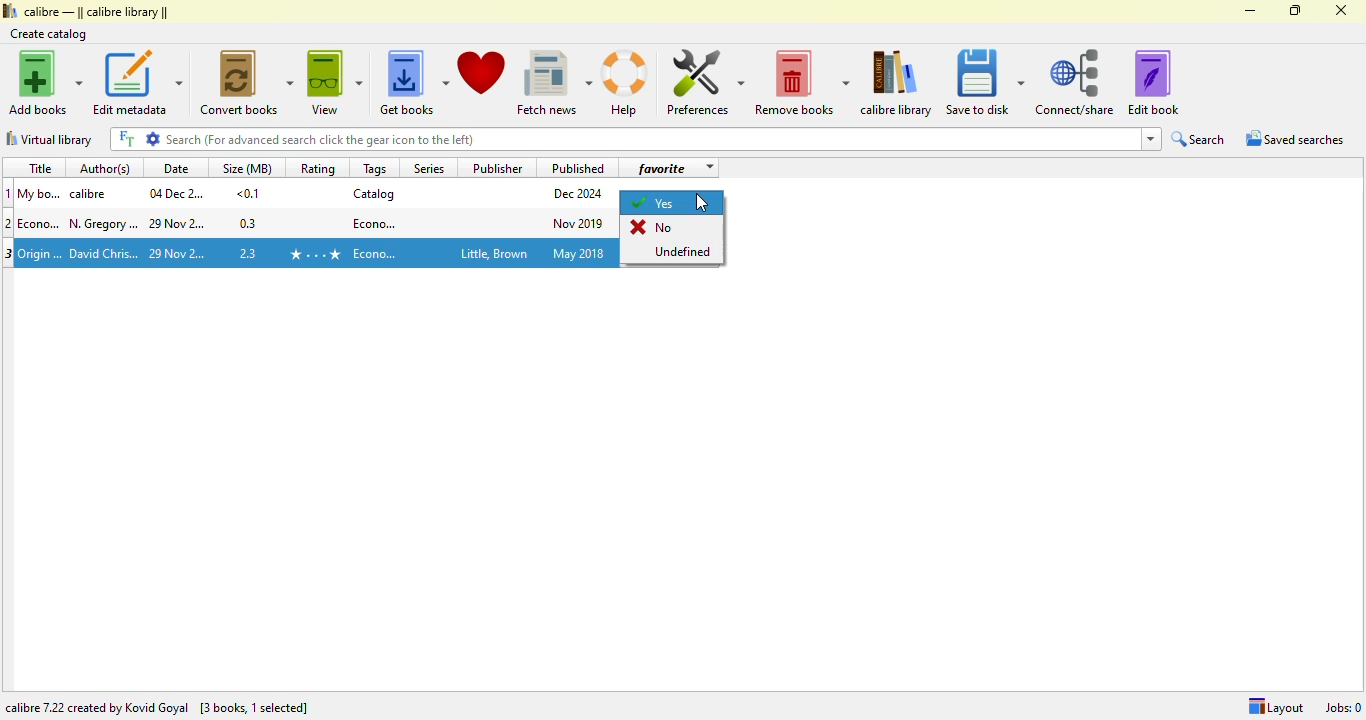  Describe the element at coordinates (499, 167) in the screenshot. I see `publisher` at that location.